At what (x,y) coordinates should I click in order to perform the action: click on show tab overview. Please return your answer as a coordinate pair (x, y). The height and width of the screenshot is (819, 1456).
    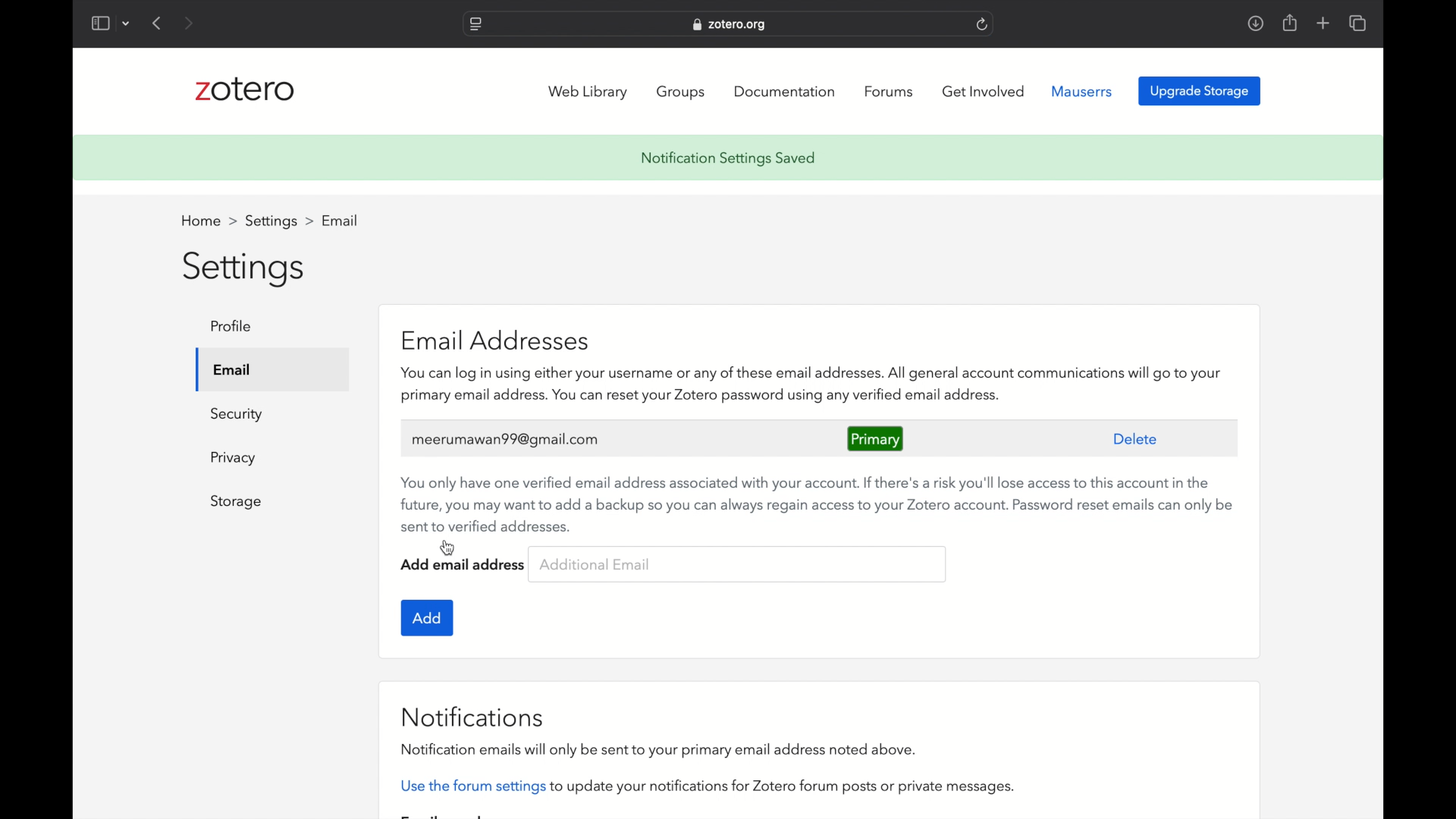
    Looking at the image, I should click on (1359, 24).